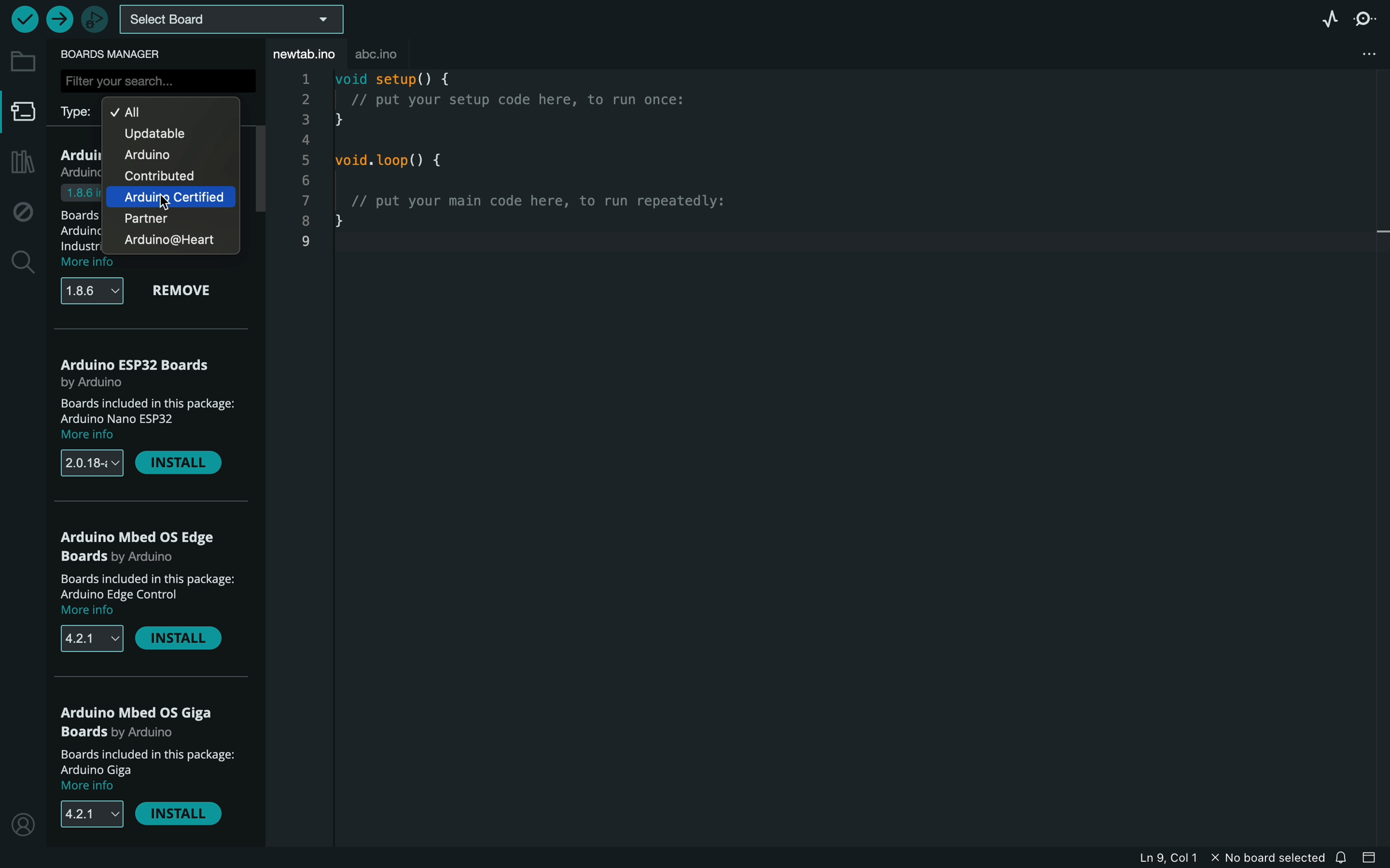 This screenshot has height=868, width=1390. What do you see at coordinates (302, 53) in the screenshot?
I see `file tab` at bounding box center [302, 53].